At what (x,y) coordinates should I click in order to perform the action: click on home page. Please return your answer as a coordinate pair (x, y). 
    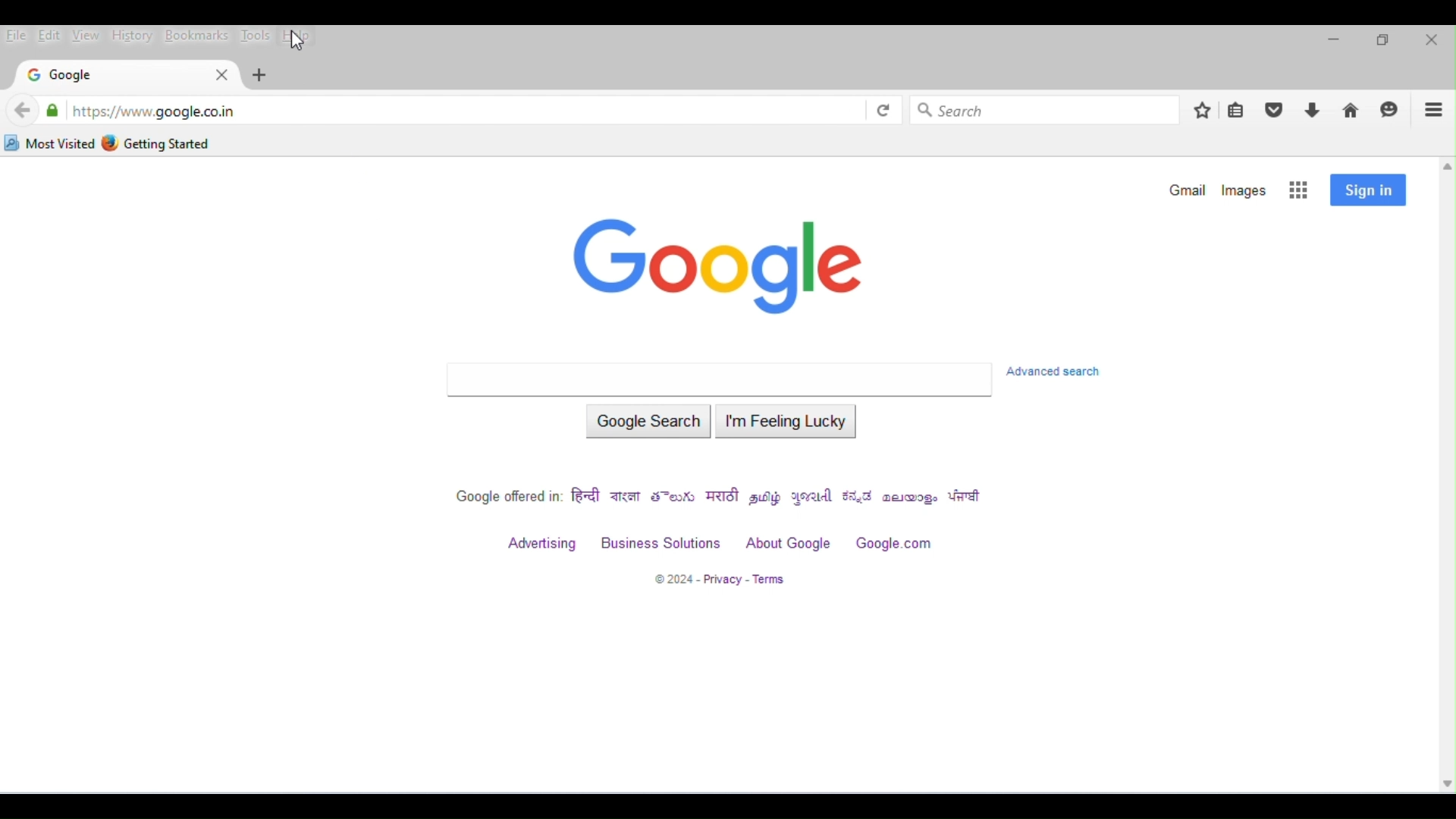
    Looking at the image, I should click on (1351, 111).